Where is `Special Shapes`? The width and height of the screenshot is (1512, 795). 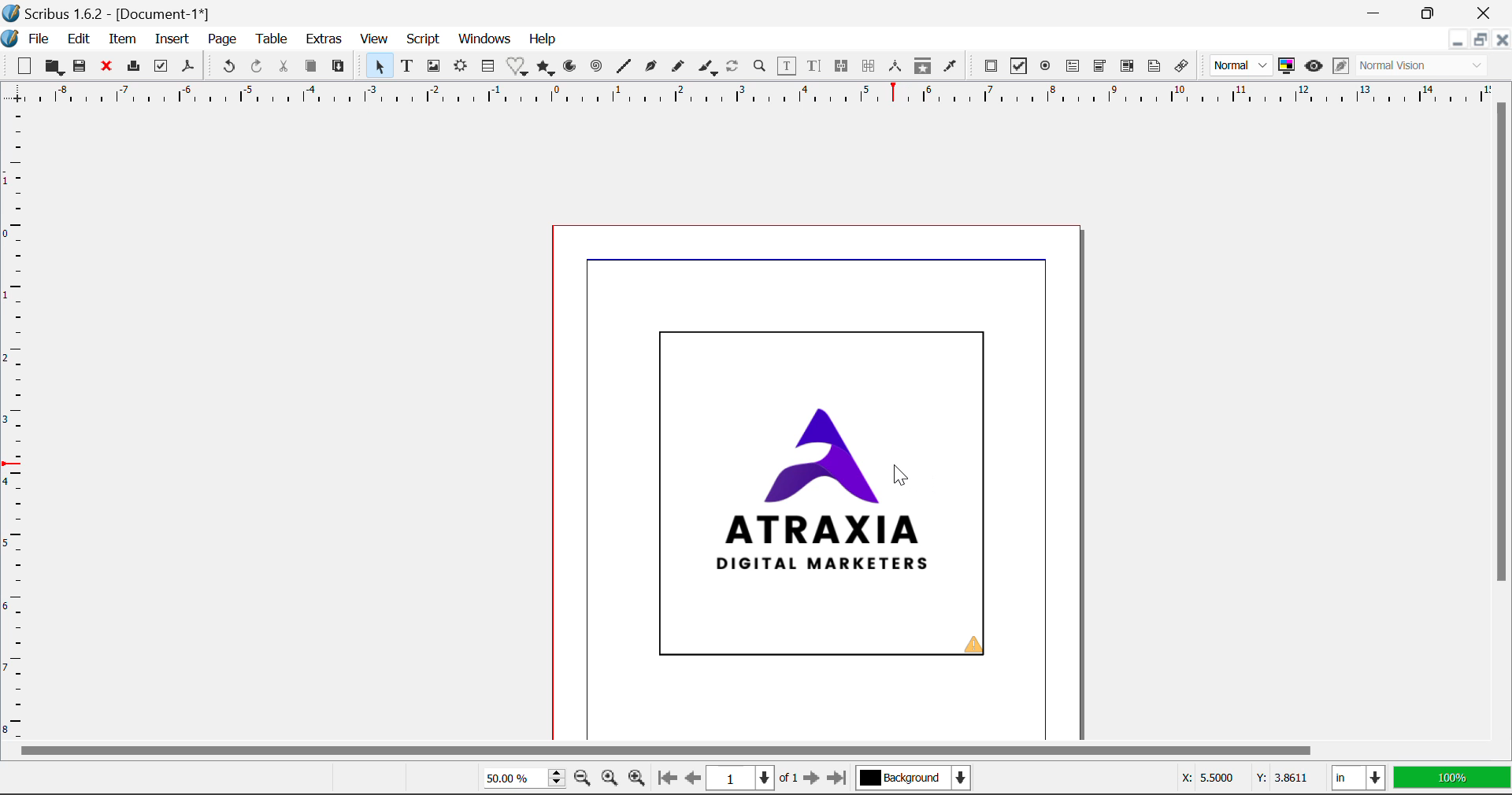
Special Shapes is located at coordinates (520, 68).